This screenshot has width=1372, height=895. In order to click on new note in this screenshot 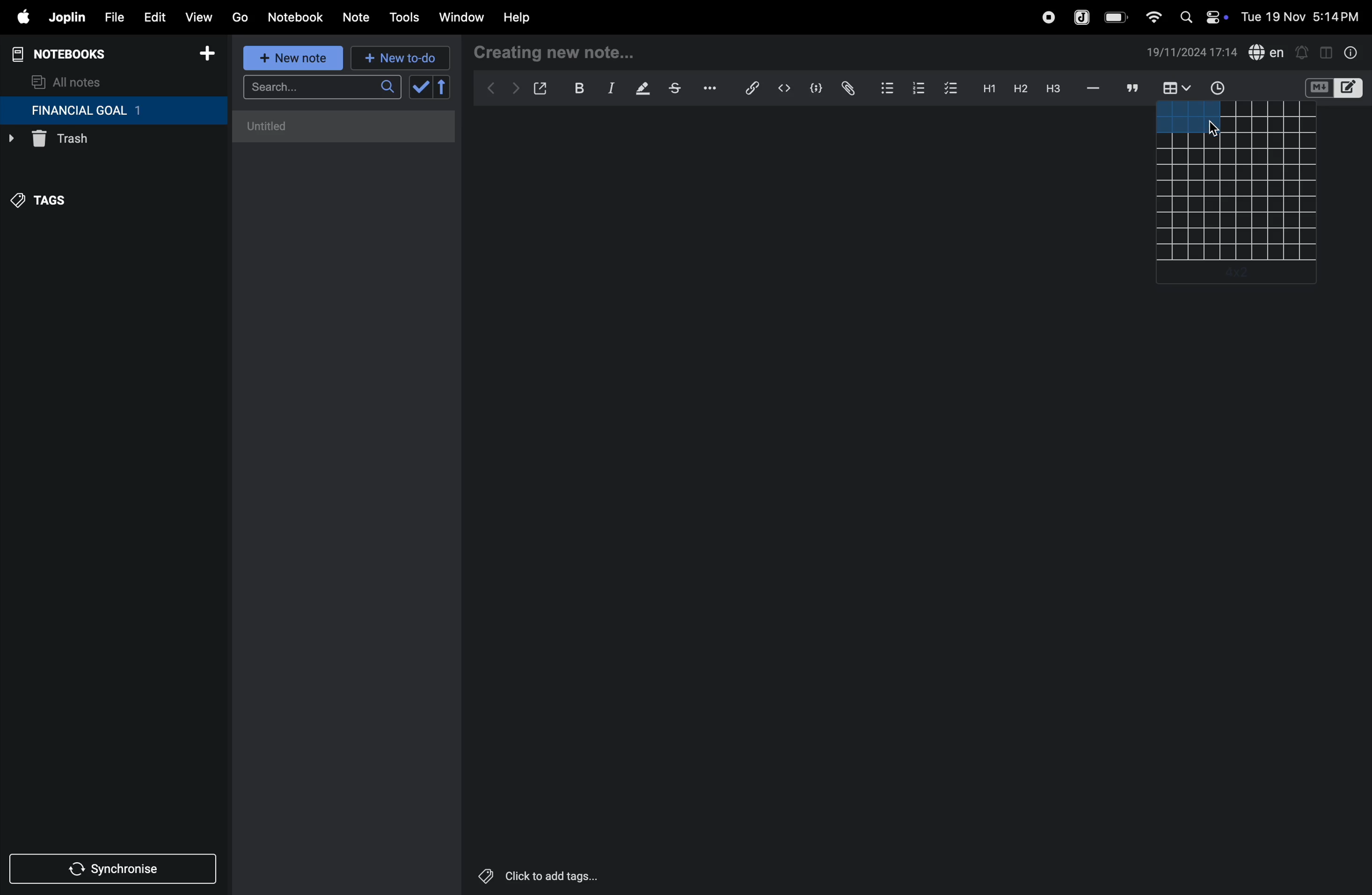, I will do `click(292, 59)`.